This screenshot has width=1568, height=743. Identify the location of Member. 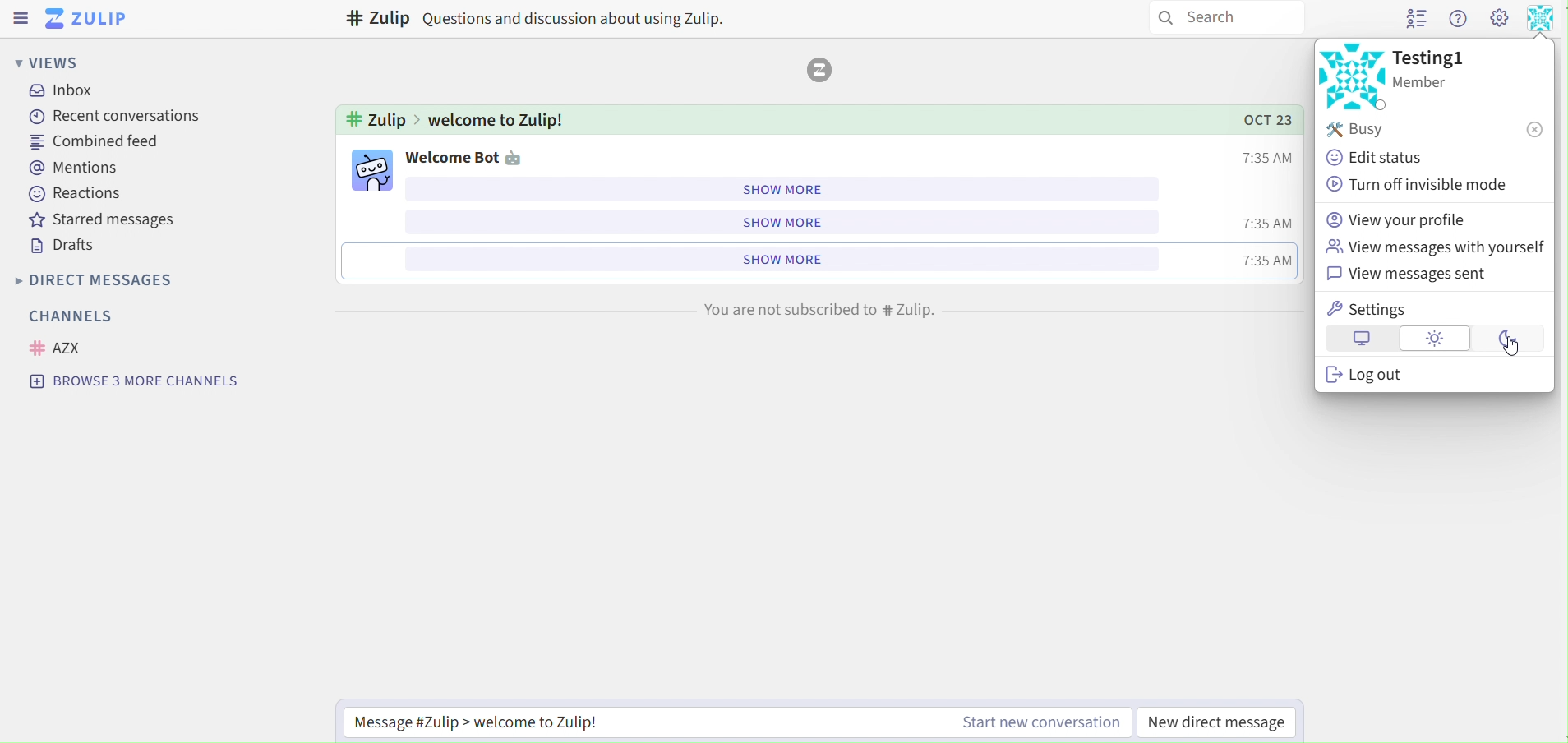
(1434, 83).